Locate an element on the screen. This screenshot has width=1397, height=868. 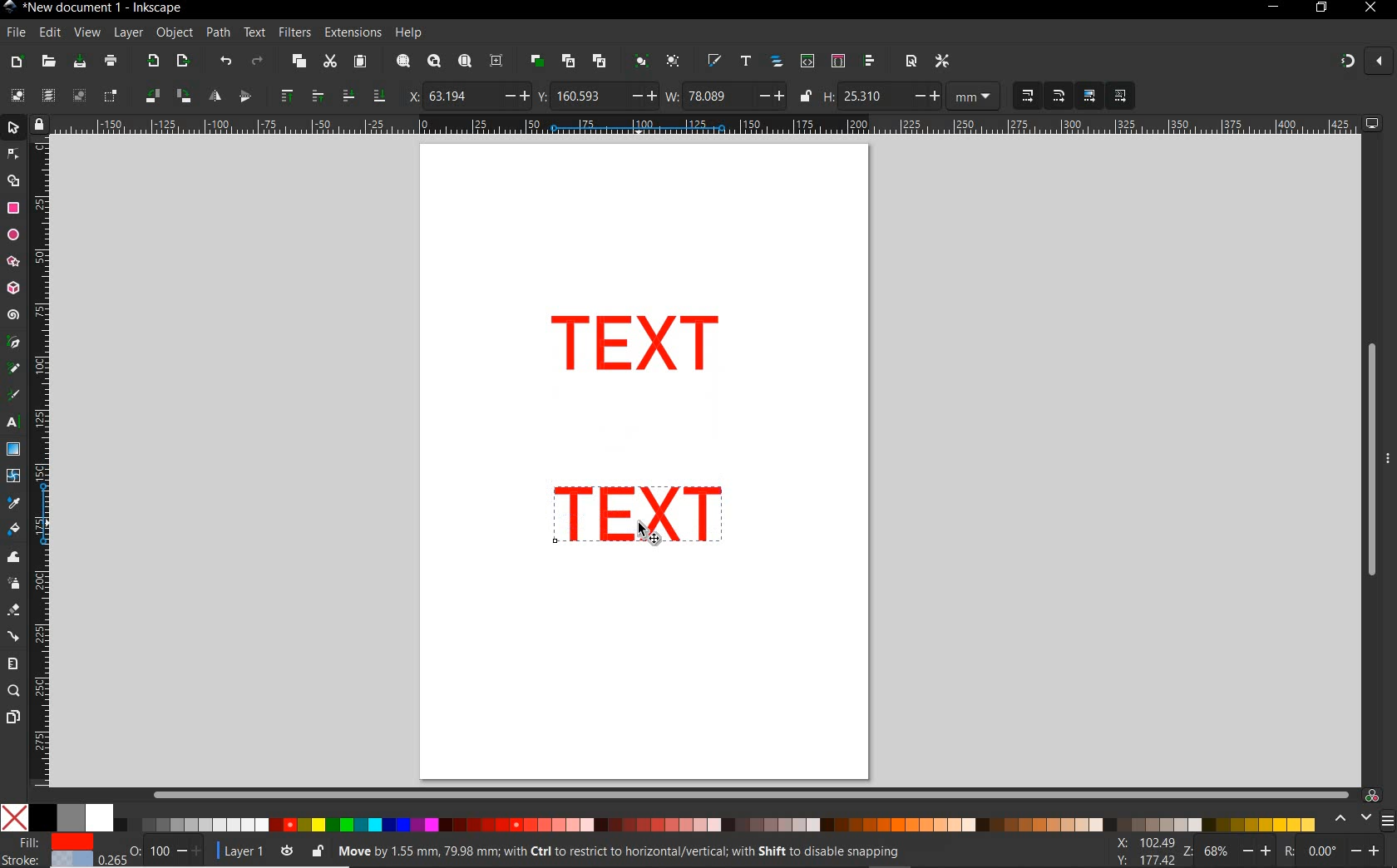
zoom page is located at coordinates (464, 61).